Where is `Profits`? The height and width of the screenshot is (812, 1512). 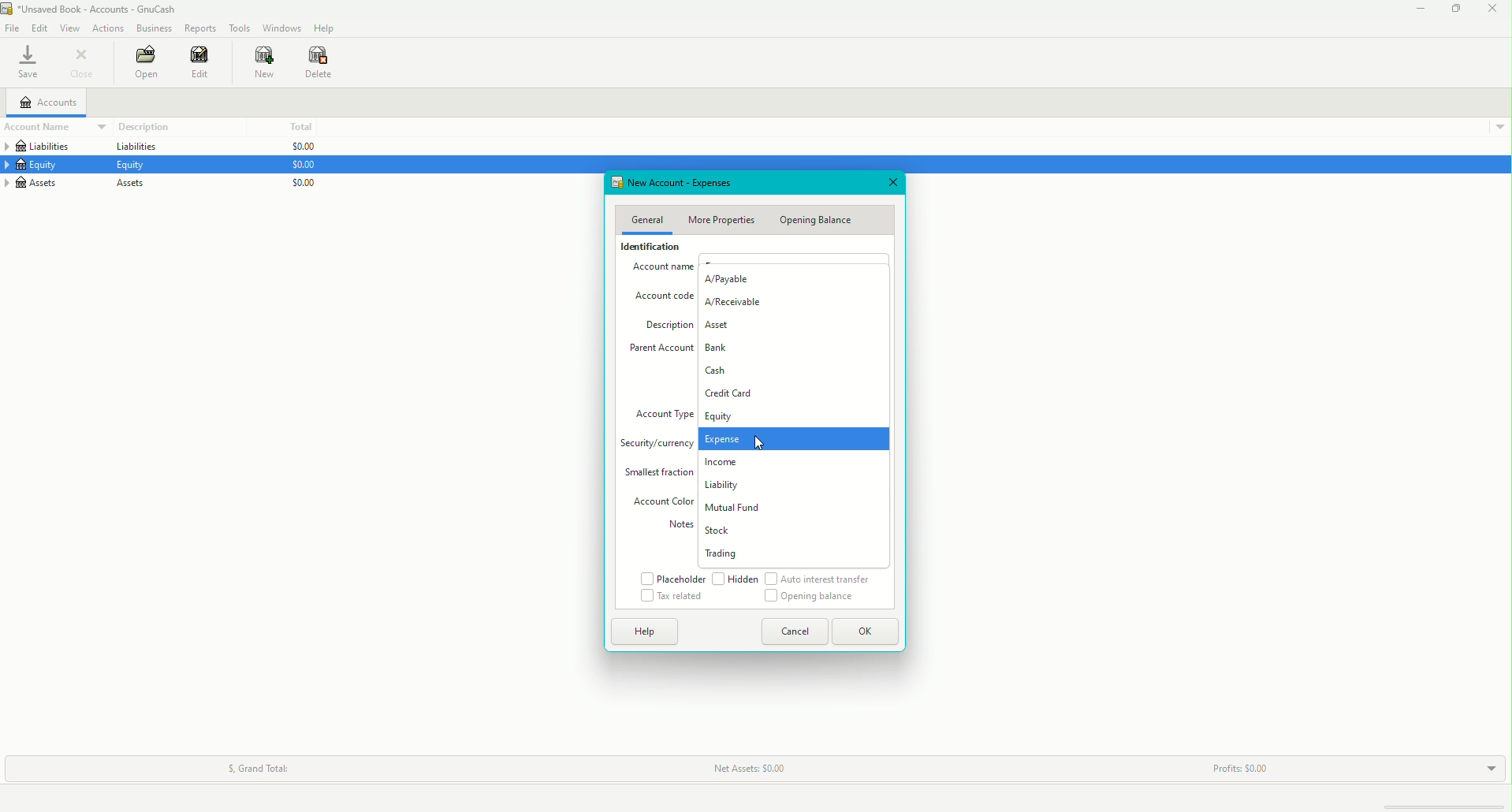
Profits is located at coordinates (1240, 765).